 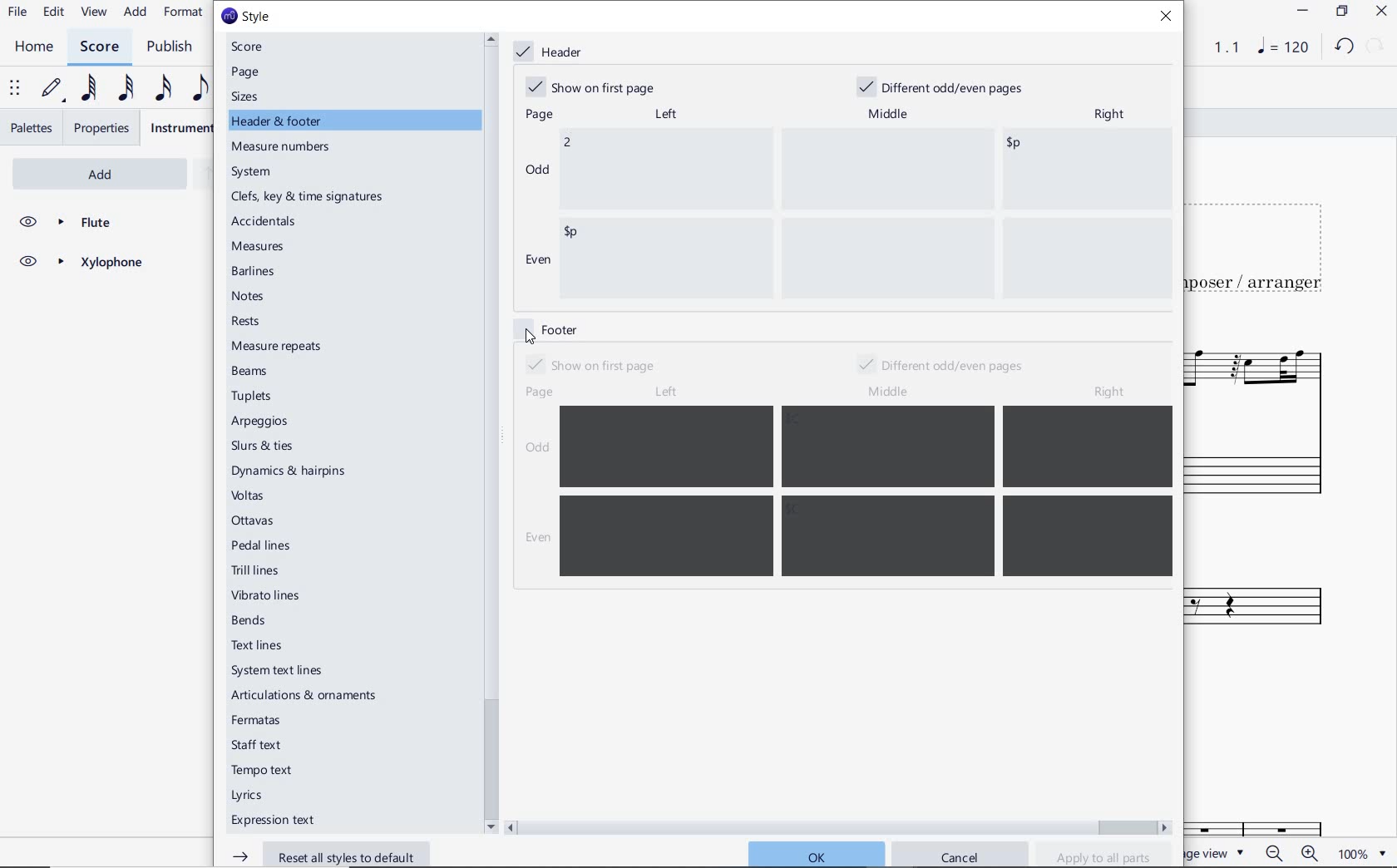 I want to click on 64TH NOTE, so click(x=86, y=89).